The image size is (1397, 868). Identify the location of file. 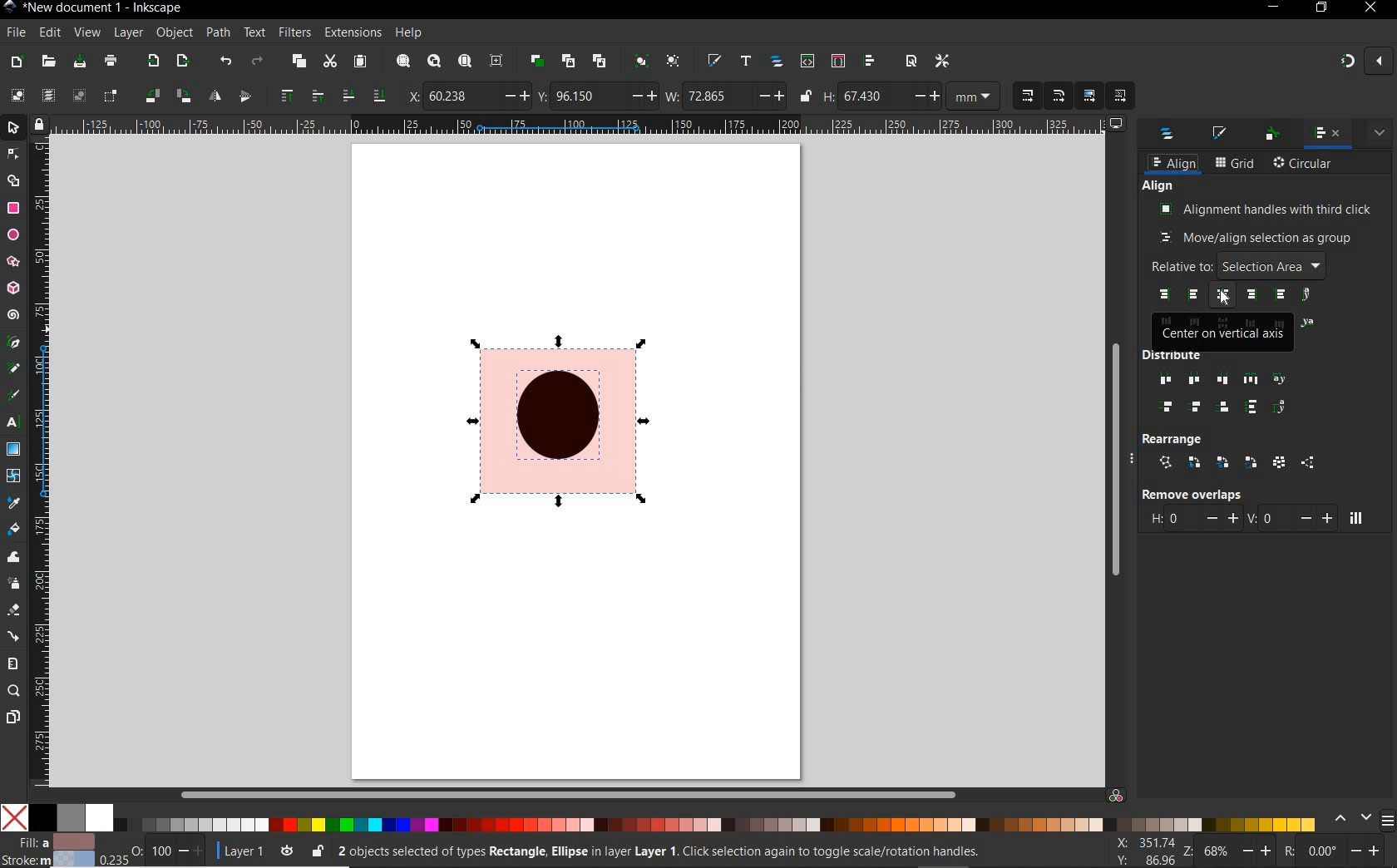
(15, 32).